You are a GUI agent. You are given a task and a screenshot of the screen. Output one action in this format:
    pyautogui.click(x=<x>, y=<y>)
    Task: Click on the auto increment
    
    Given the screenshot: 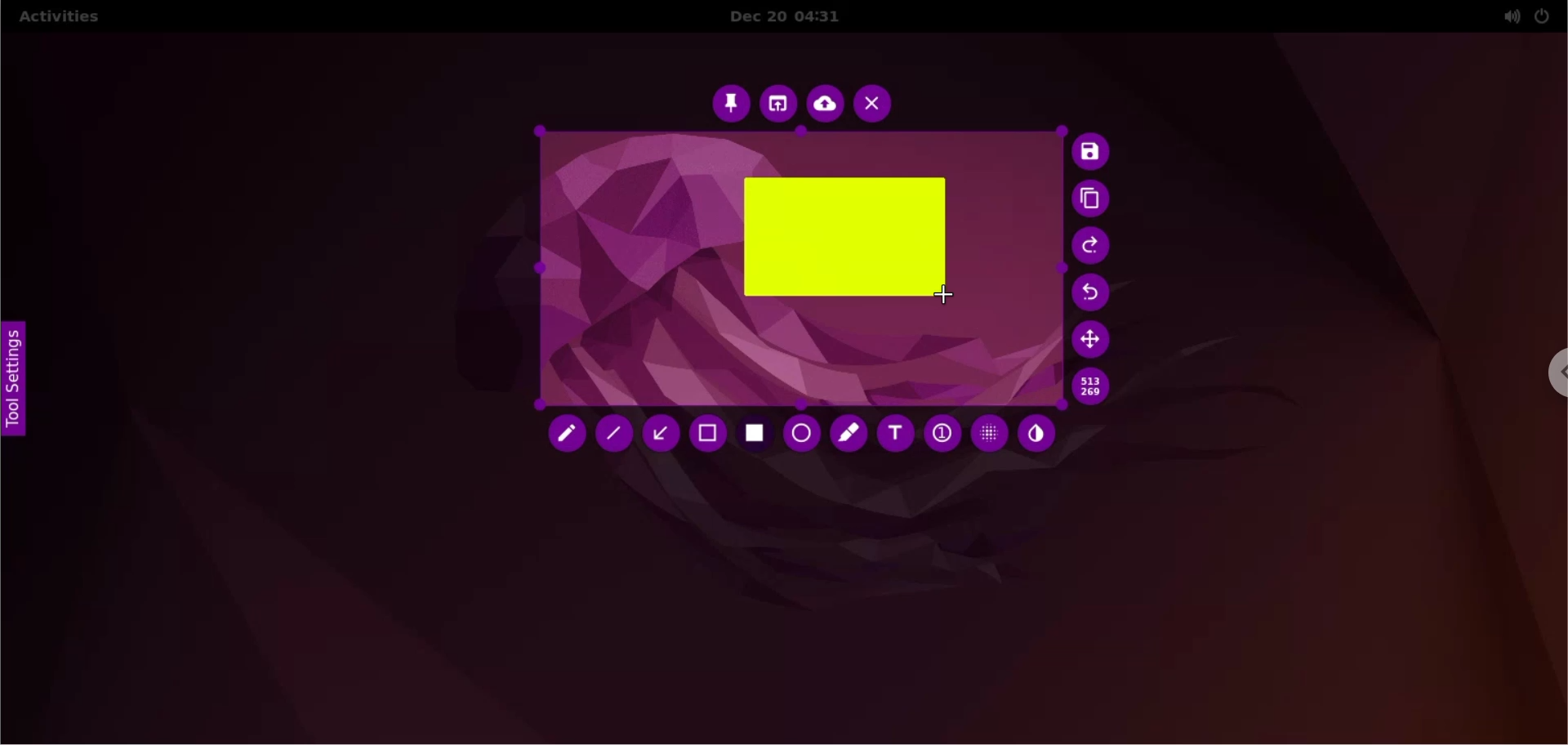 What is the action you would take?
    pyautogui.click(x=940, y=434)
    